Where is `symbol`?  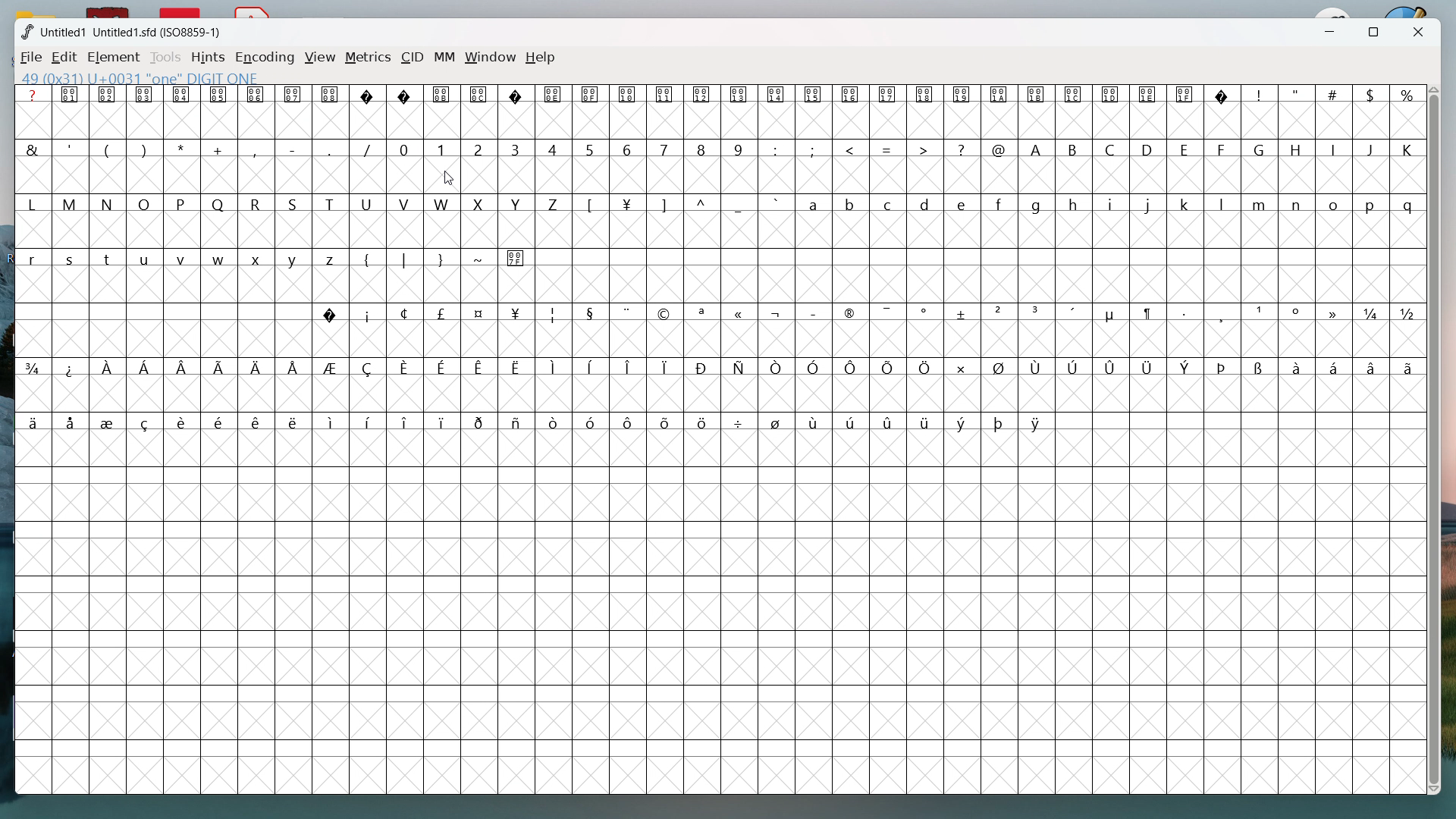
symbol is located at coordinates (1000, 367).